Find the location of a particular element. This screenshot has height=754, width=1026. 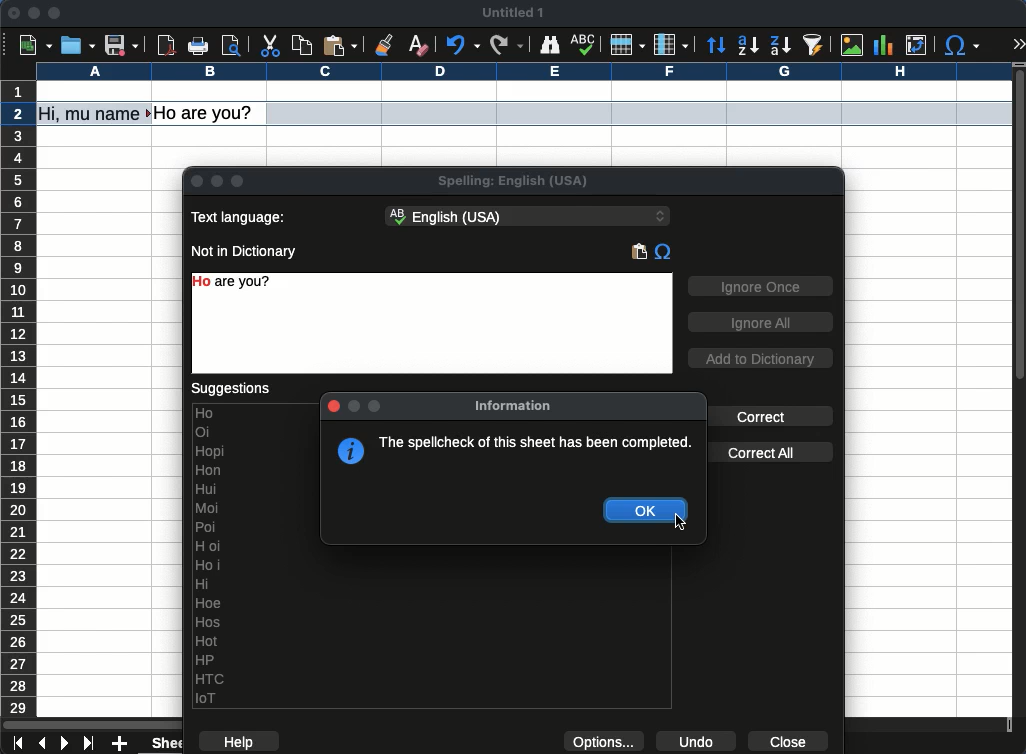

special characters is located at coordinates (663, 253).